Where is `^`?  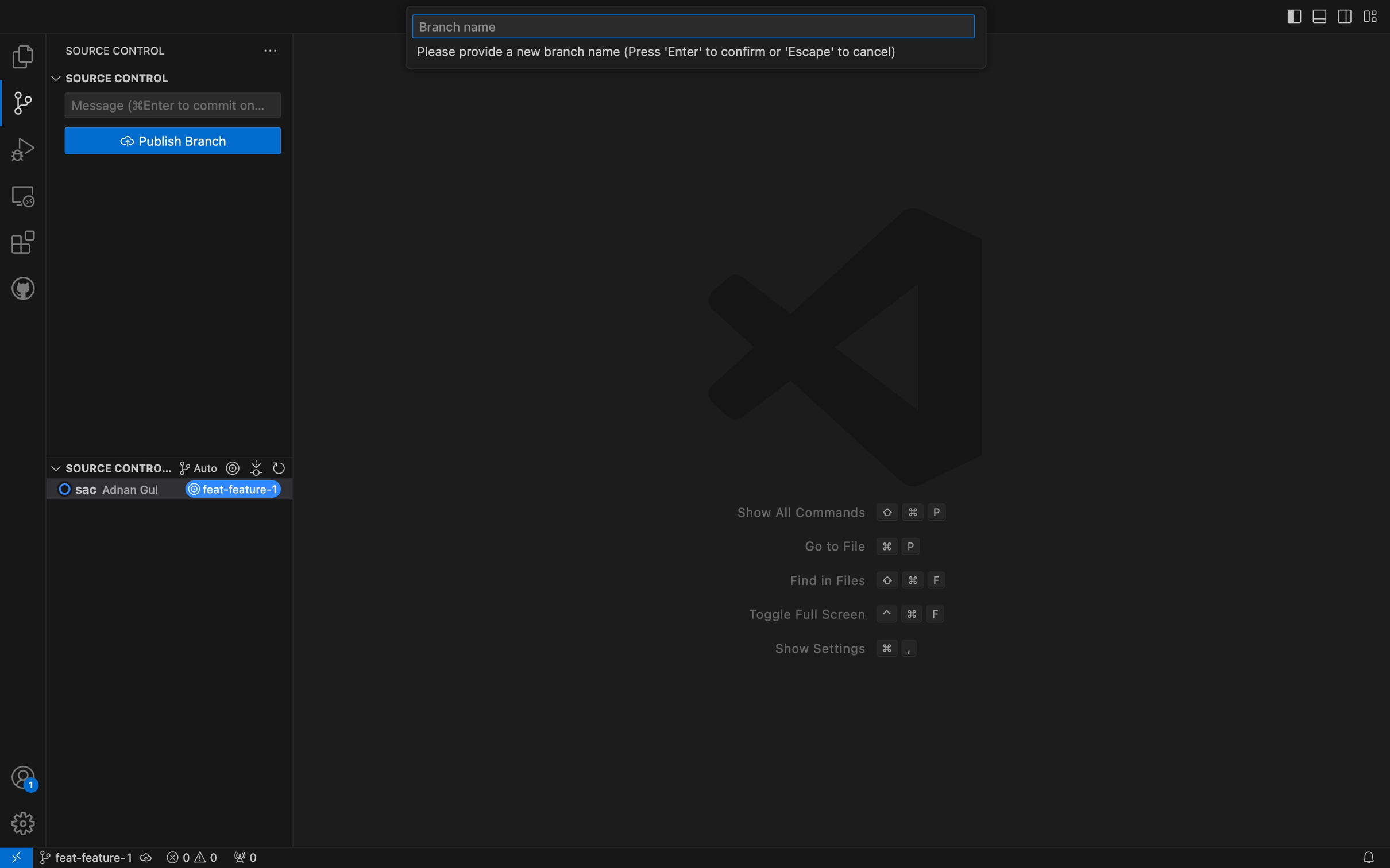
^ is located at coordinates (887, 614).